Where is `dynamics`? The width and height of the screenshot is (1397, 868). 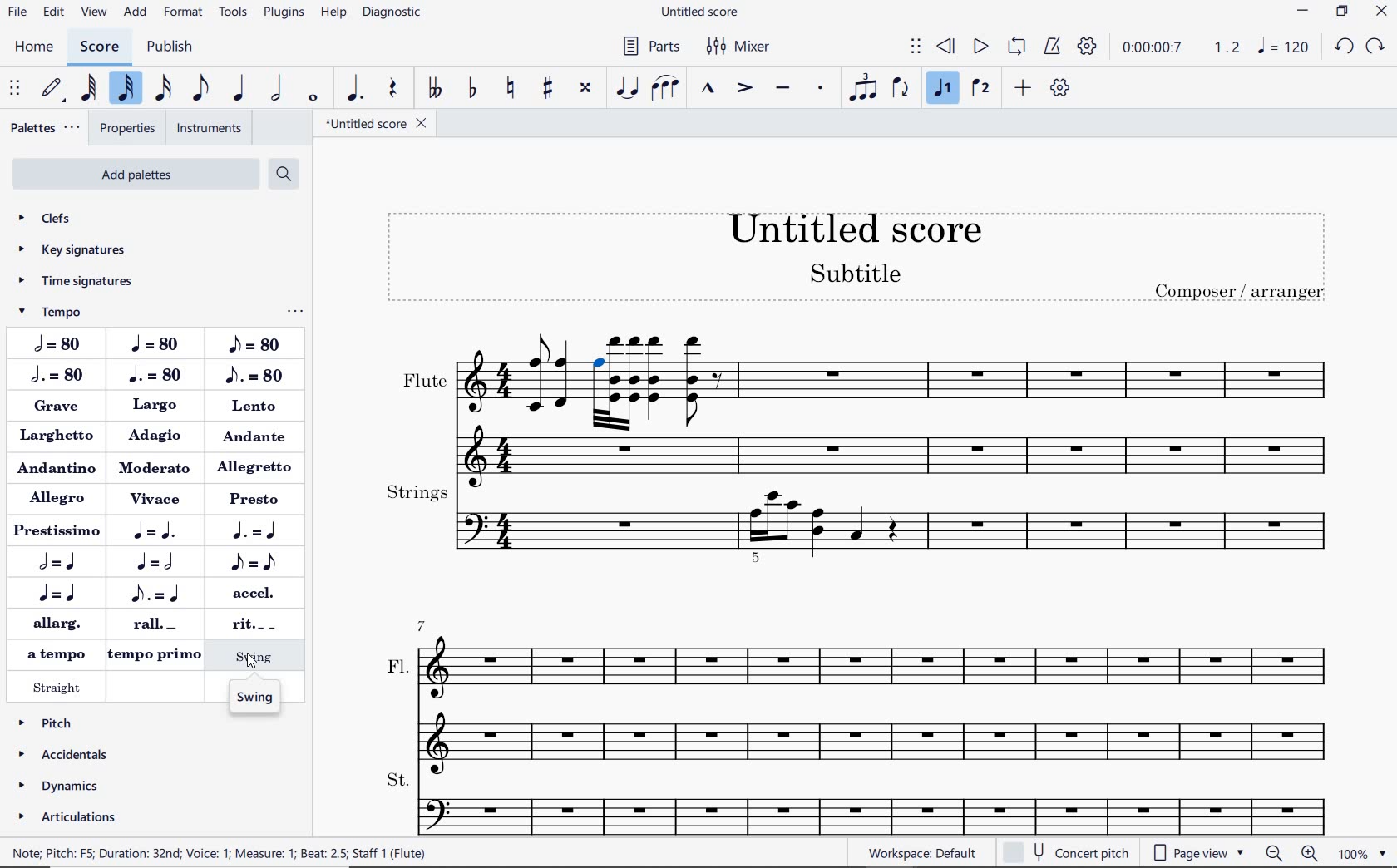 dynamics is located at coordinates (64, 787).